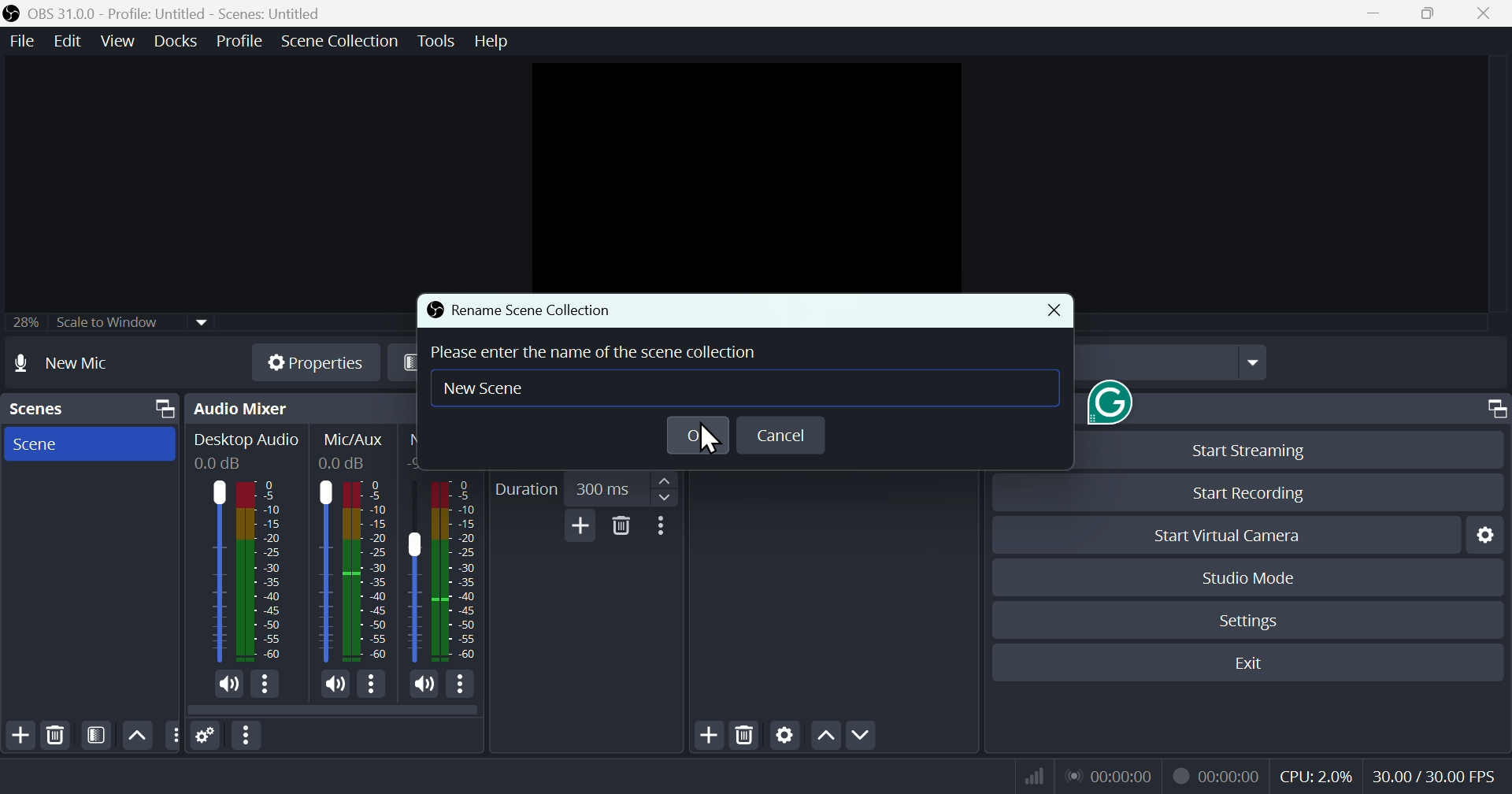  Describe the element at coordinates (457, 573) in the screenshot. I see `New Mic` at that location.